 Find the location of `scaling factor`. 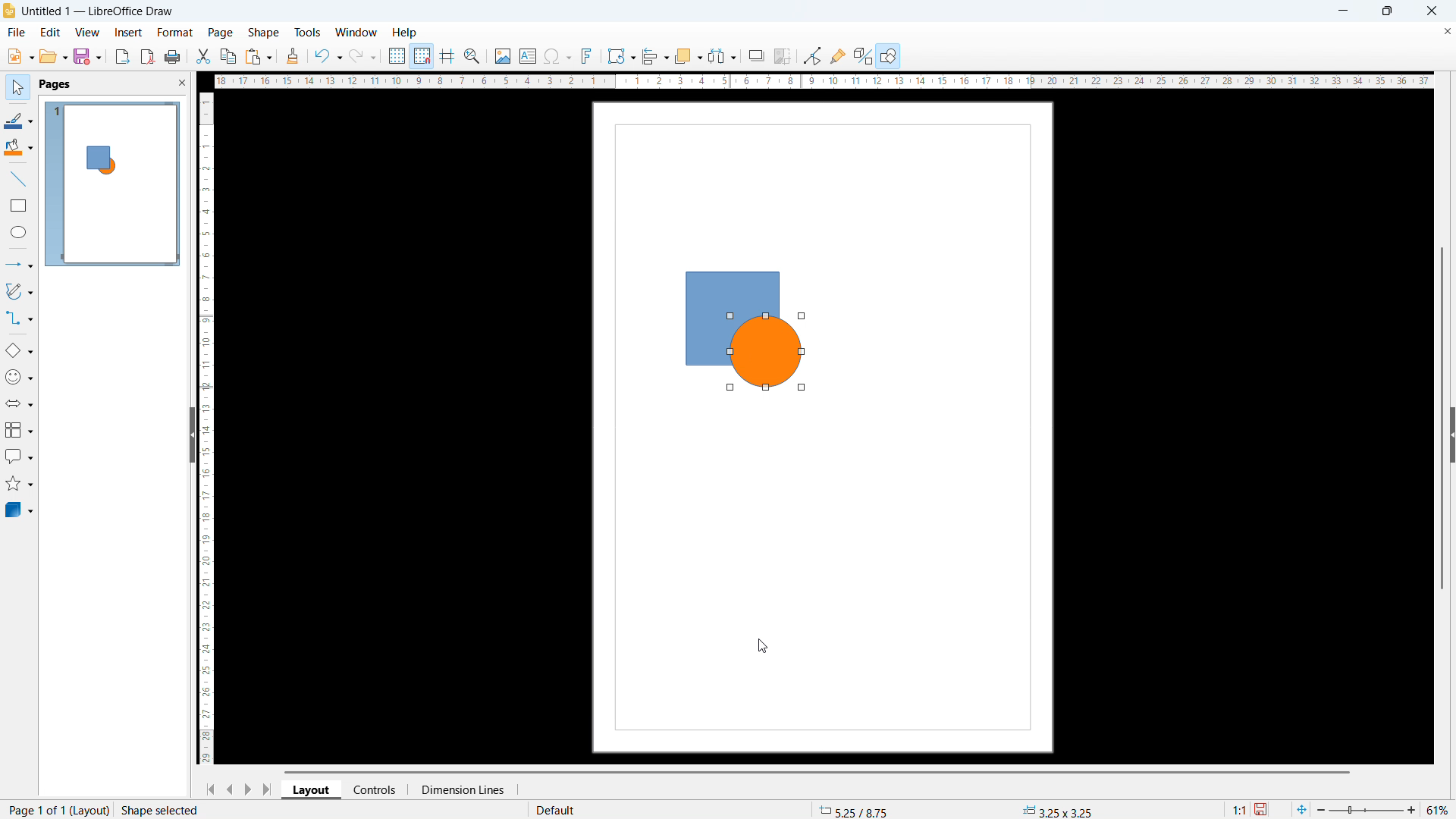

scaling factor is located at coordinates (1240, 810).